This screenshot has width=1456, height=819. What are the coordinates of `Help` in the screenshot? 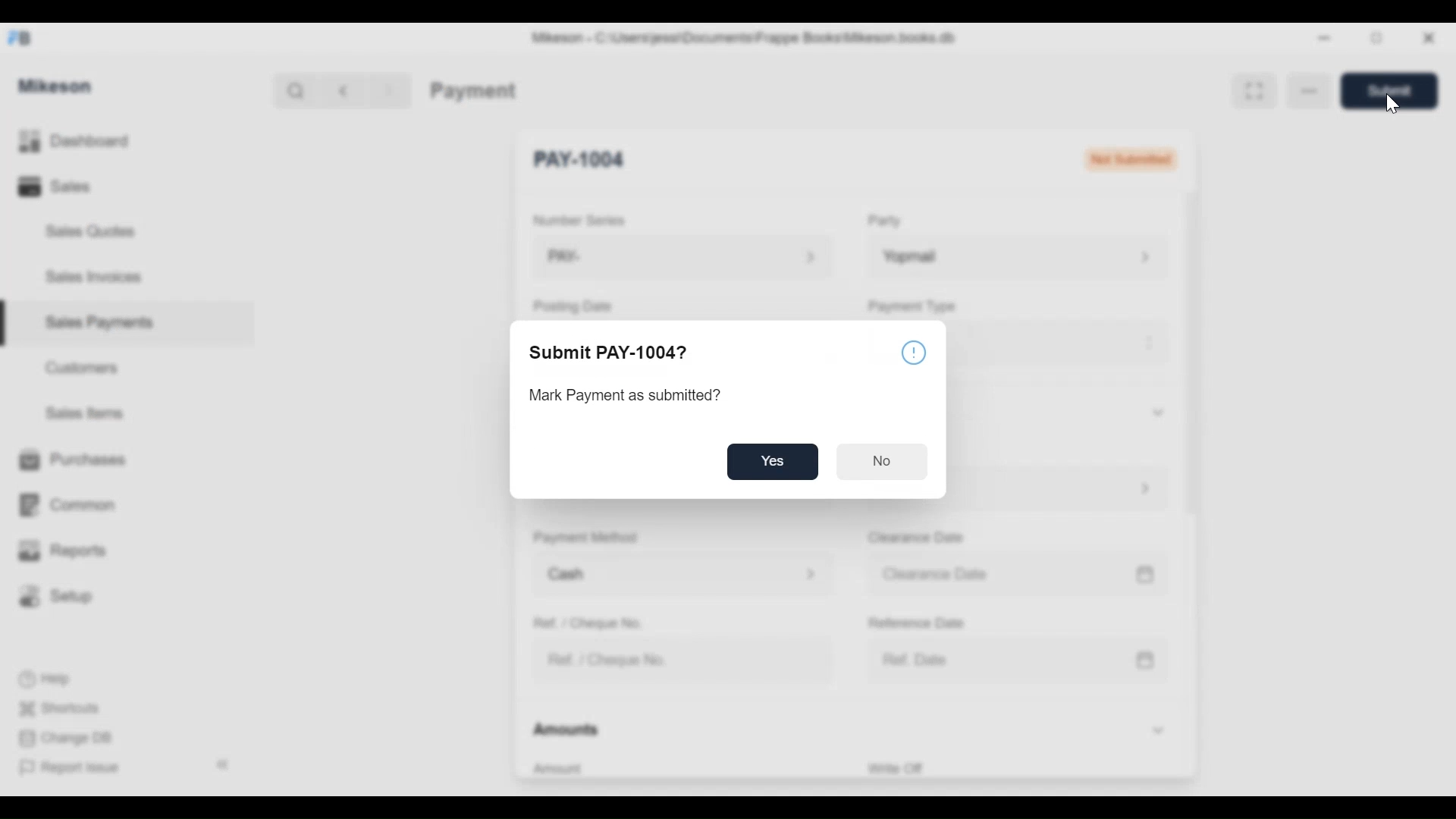 It's located at (56, 679).